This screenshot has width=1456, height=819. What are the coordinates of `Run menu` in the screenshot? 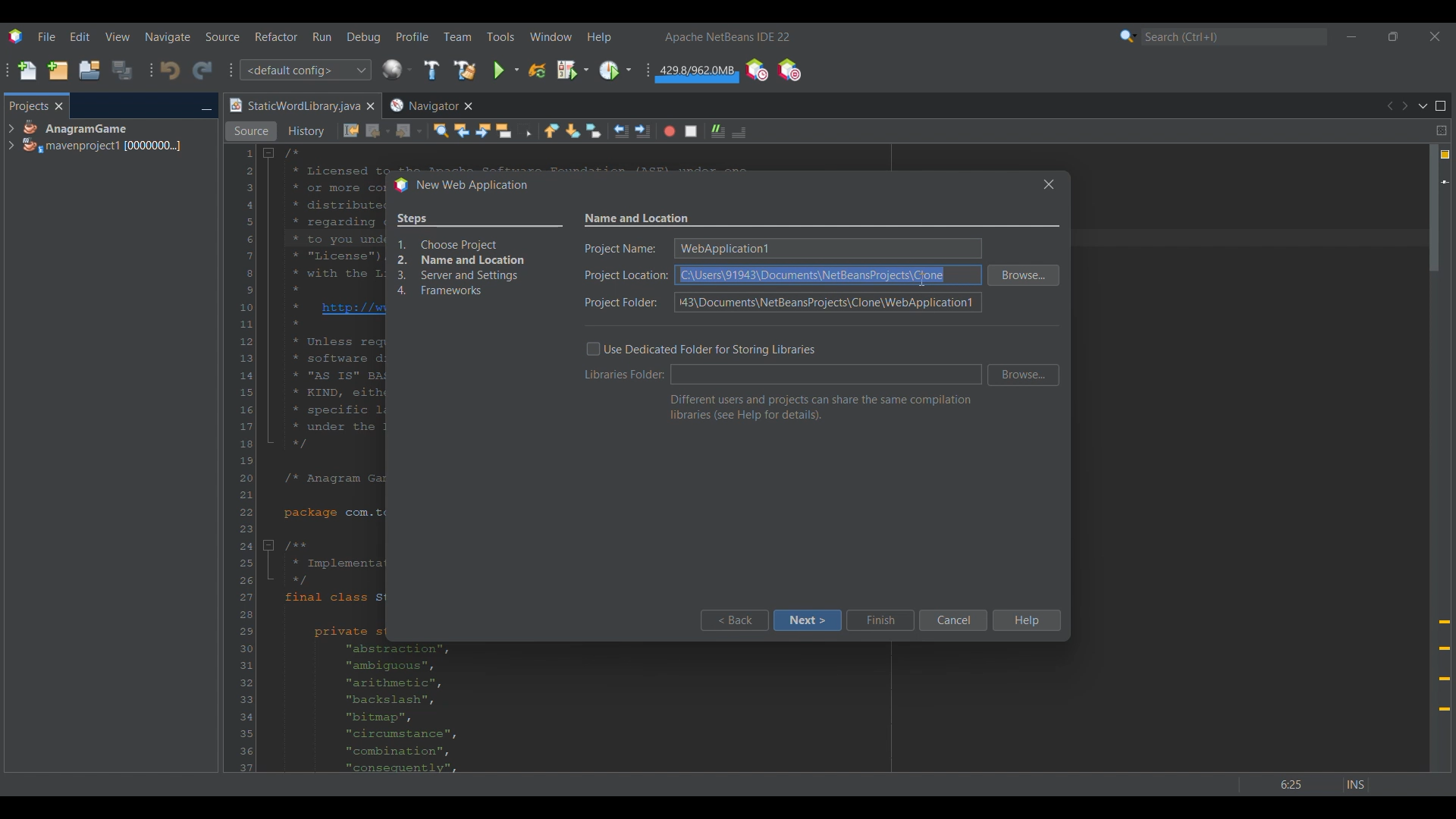 It's located at (322, 36).